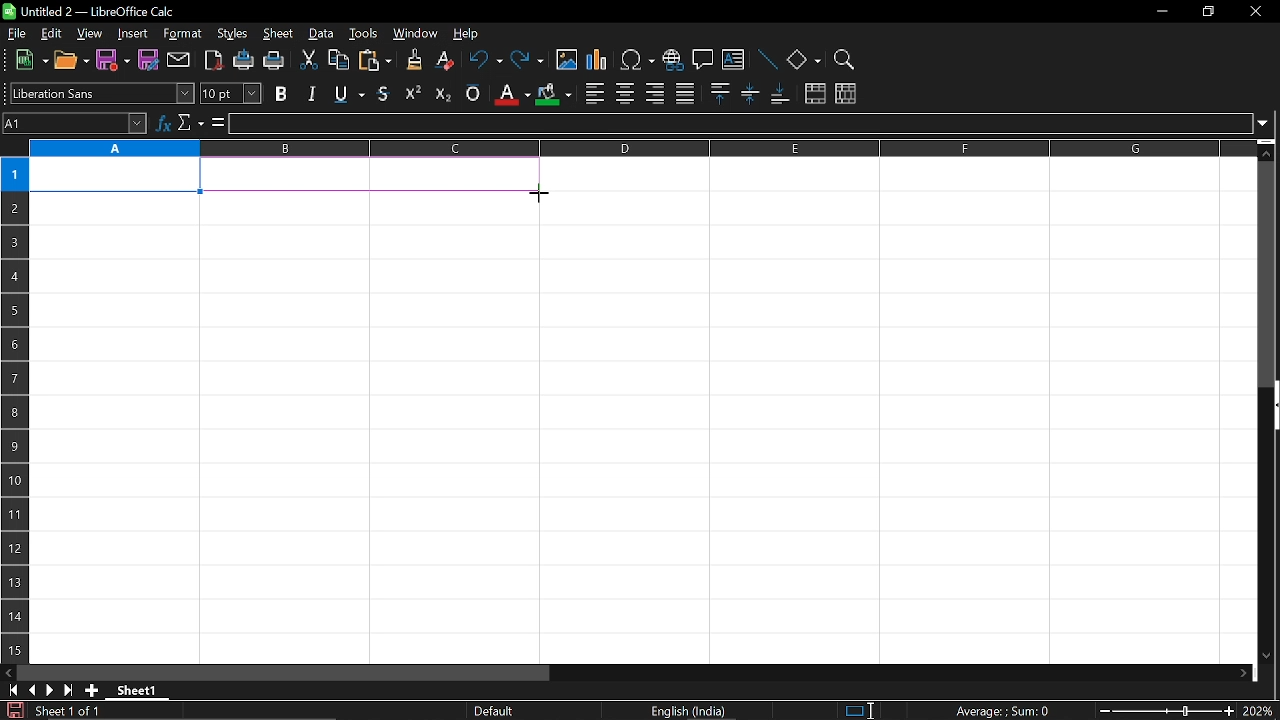 The image size is (1280, 720). Describe the element at coordinates (183, 34) in the screenshot. I see `format` at that location.